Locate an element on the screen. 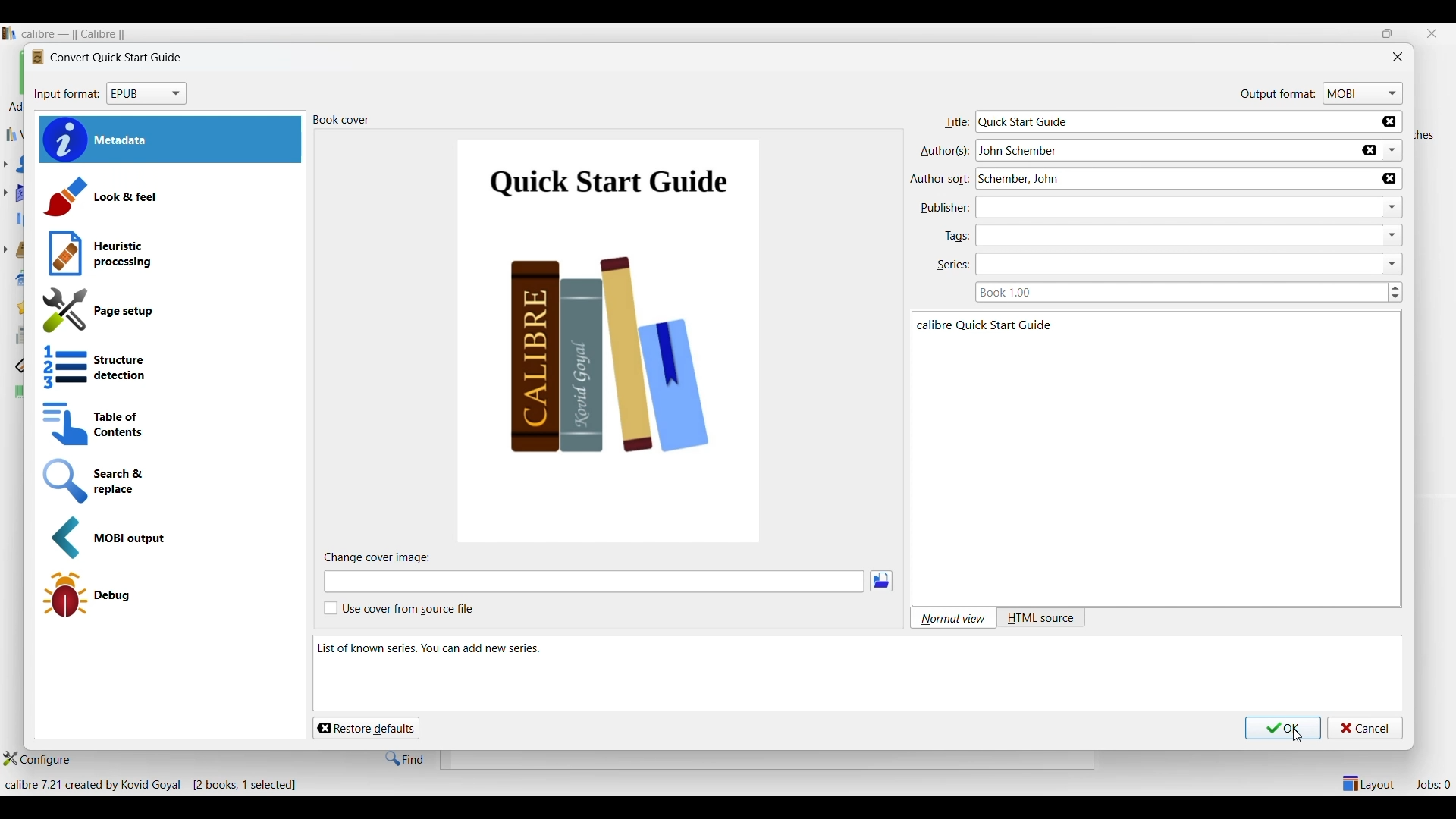  Software logo is located at coordinates (9, 33).